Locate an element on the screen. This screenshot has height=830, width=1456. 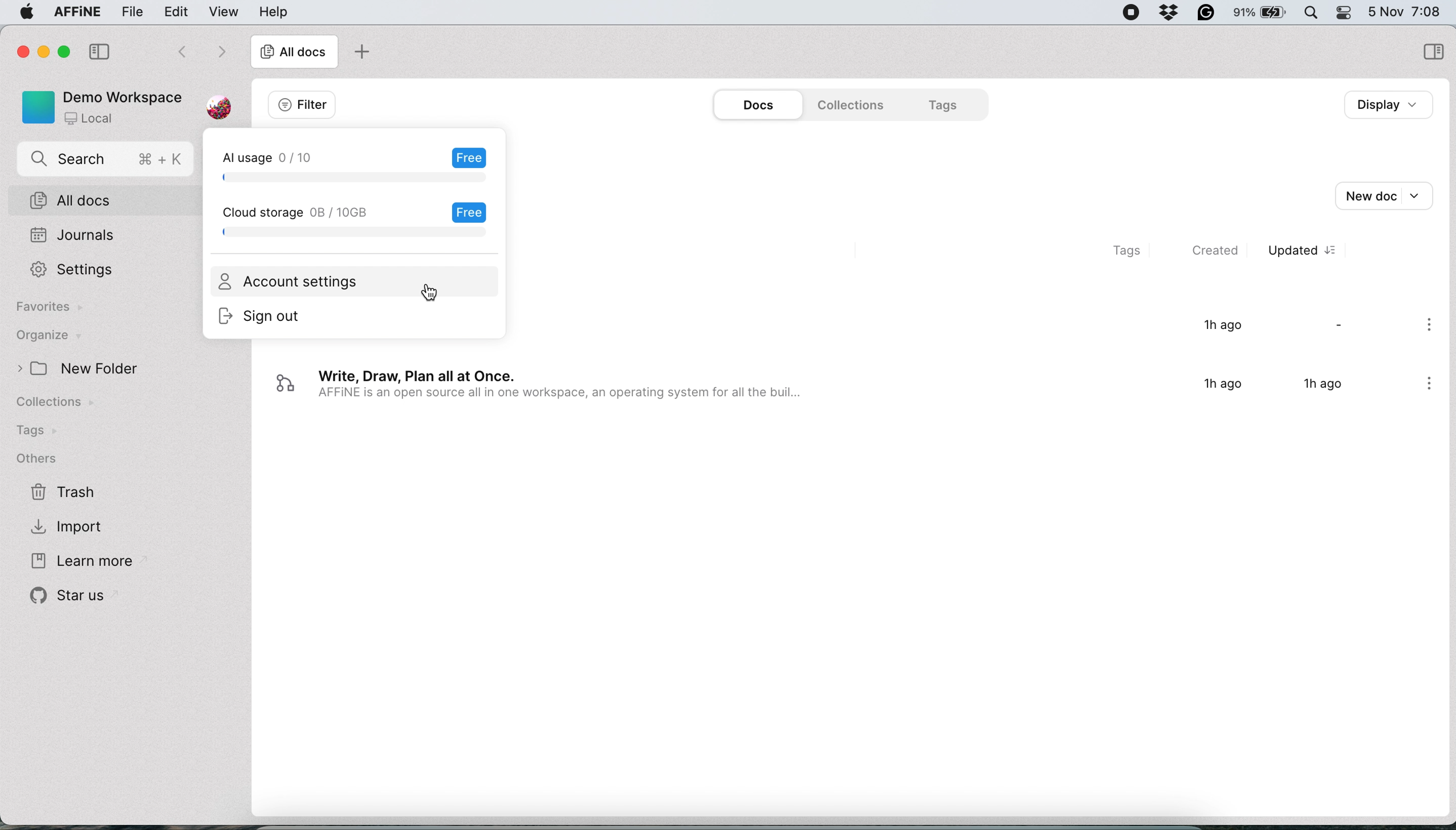
spotlight search is located at coordinates (1313, 13).